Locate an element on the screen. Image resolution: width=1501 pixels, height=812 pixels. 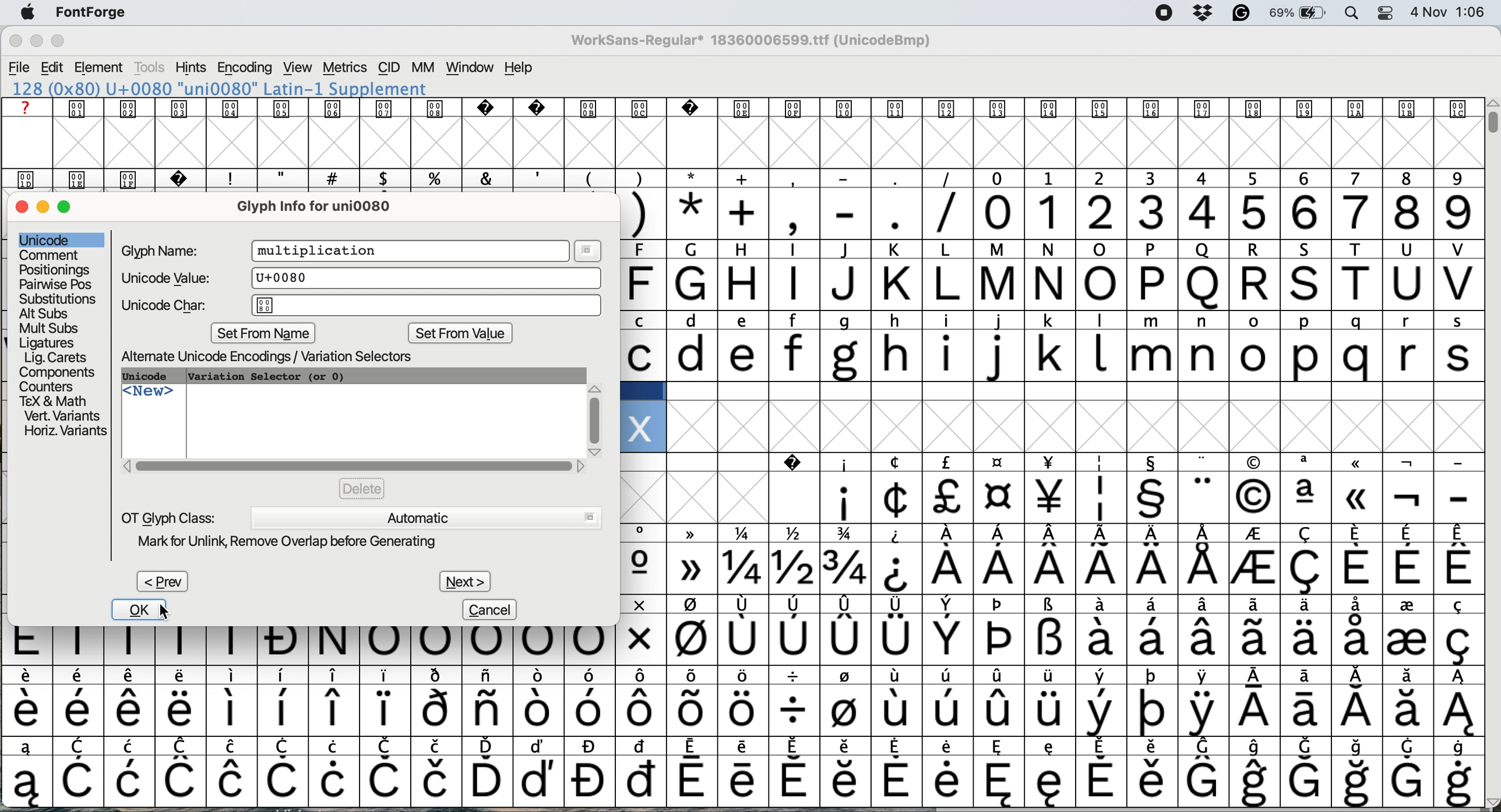
vert variants is located at coordinates (62, 416).